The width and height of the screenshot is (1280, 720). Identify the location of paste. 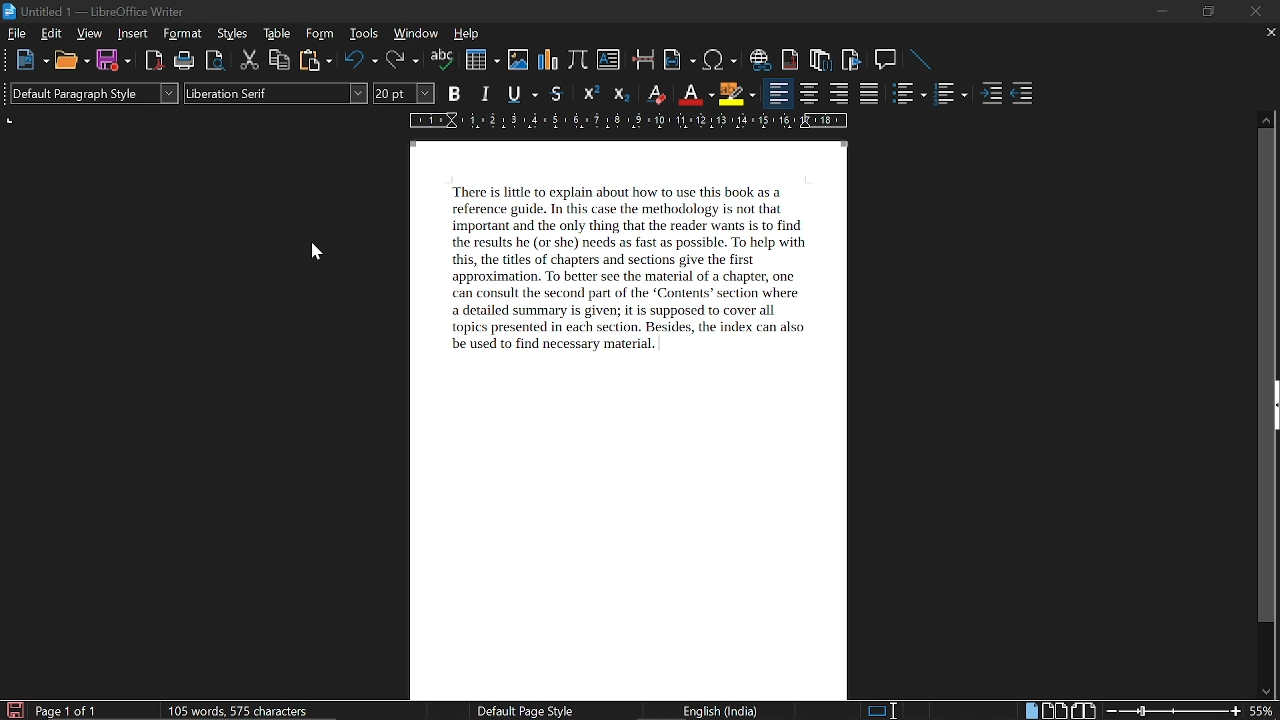
(314, 60).